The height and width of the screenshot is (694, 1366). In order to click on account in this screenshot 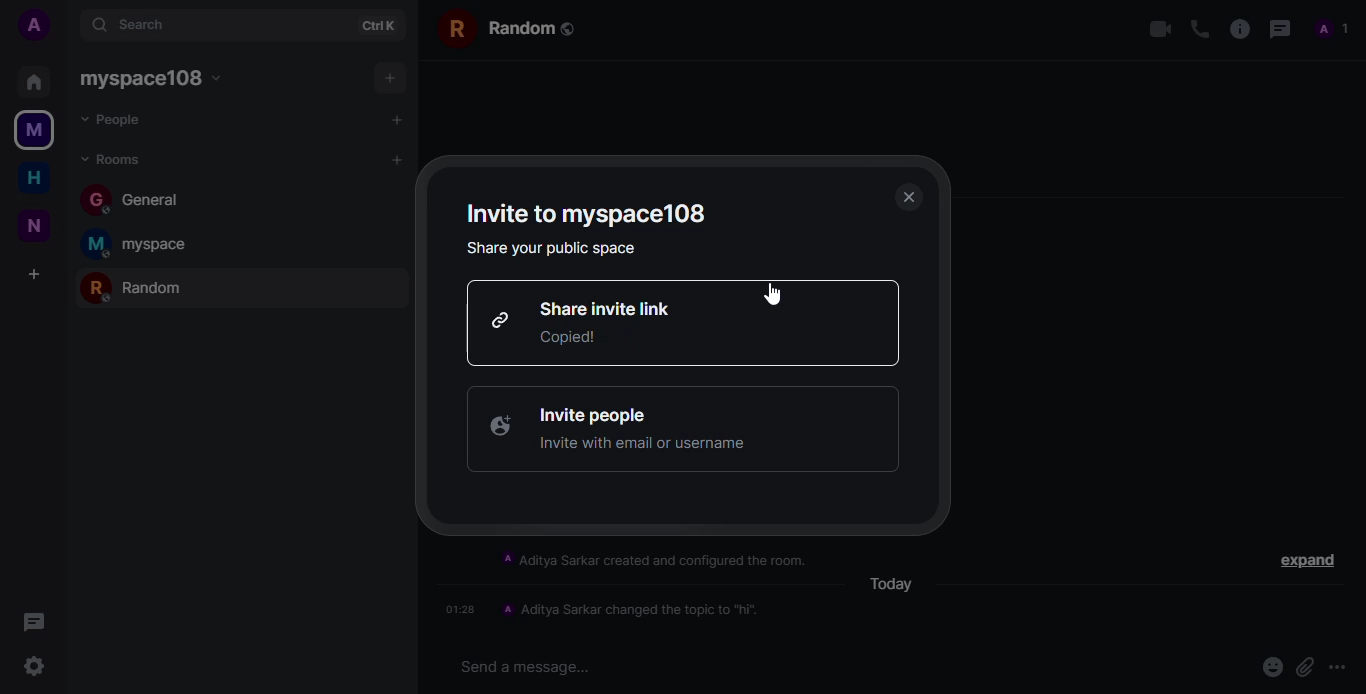, I will do `click(33, 25)`.